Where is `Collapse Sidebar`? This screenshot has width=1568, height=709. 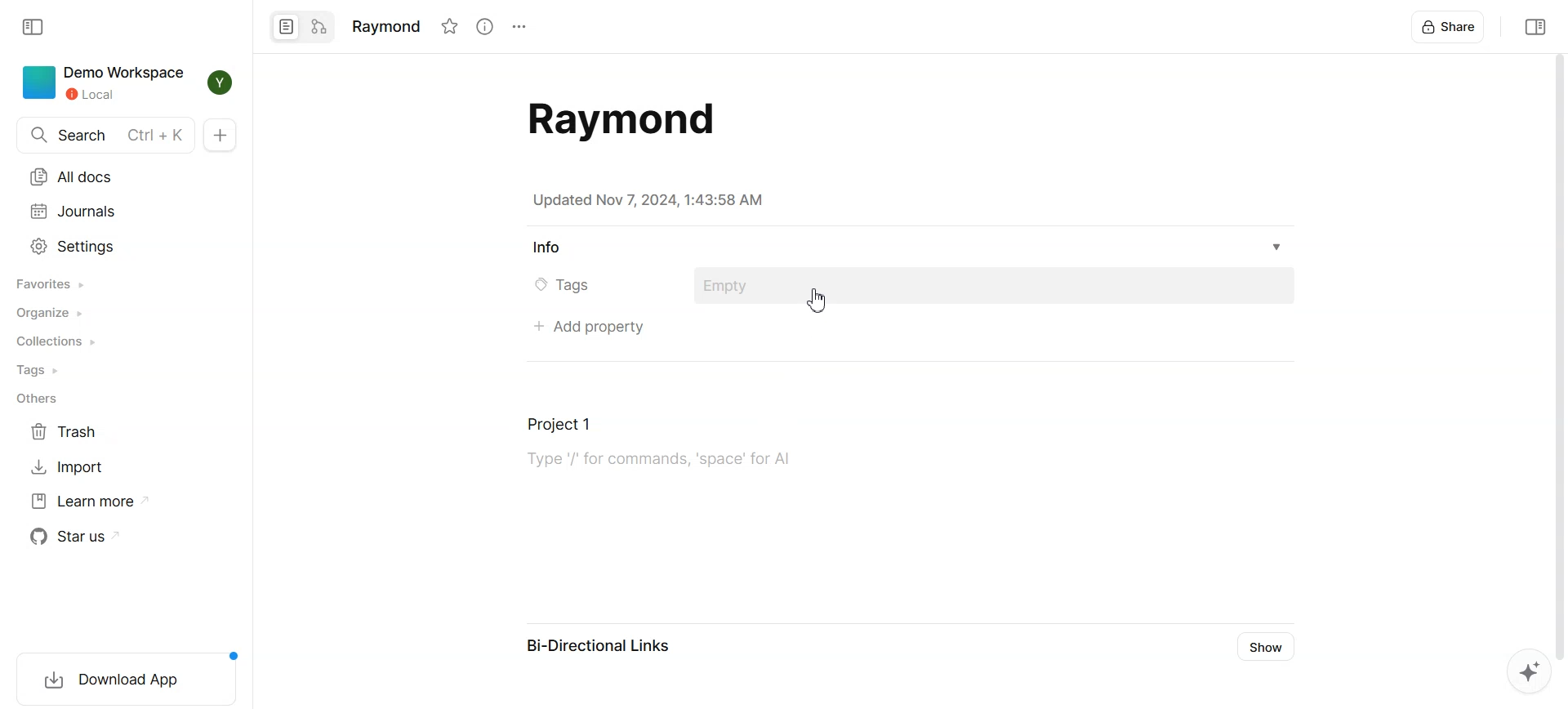 Collapse Sidebar is located at coordinates (35, 27).